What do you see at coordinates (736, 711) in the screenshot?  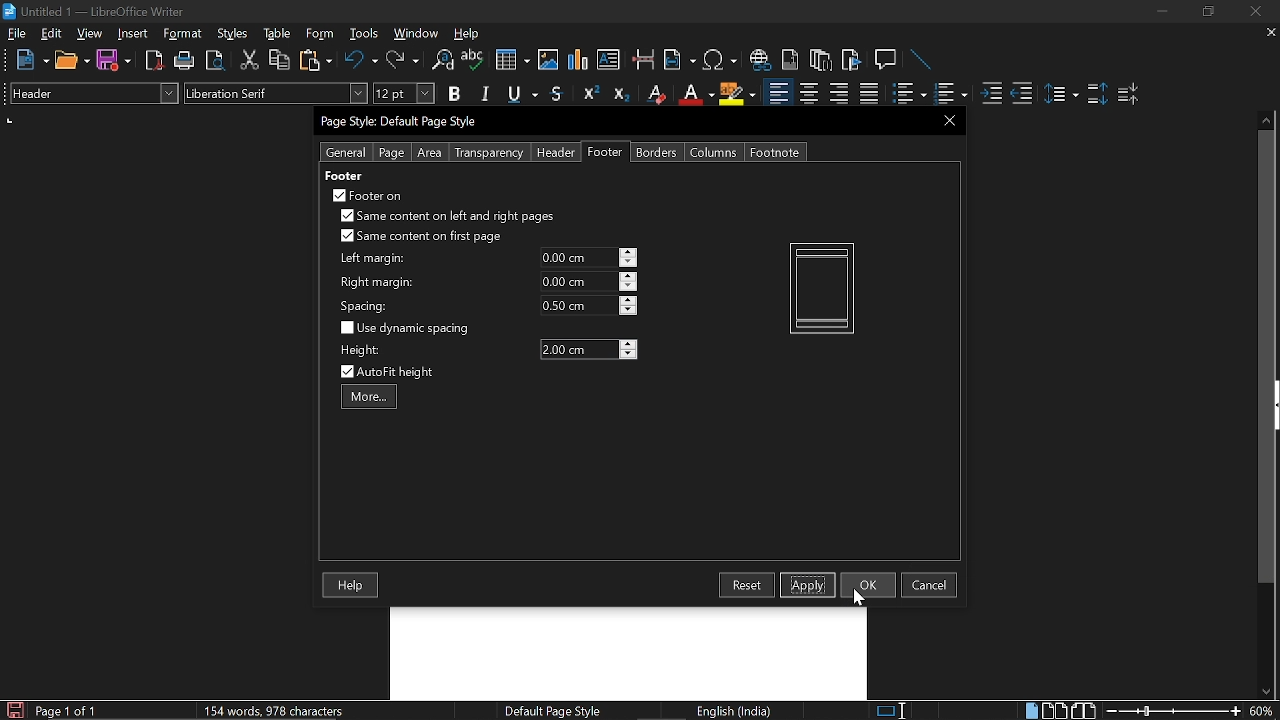 I see ` language` at bounding box center [736, 711].